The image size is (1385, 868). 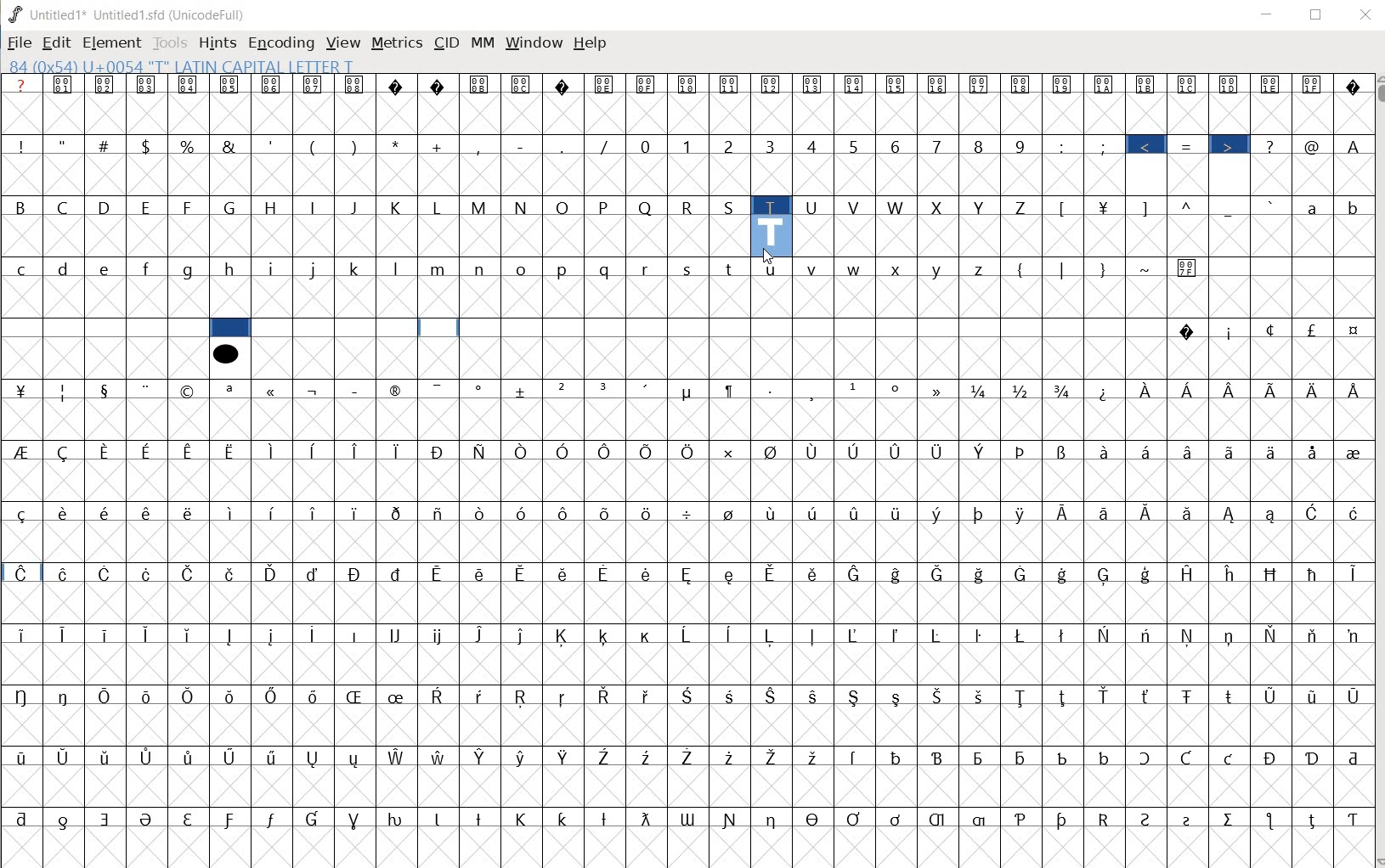 I want to click on Symbol, so click(x=274, y=636).